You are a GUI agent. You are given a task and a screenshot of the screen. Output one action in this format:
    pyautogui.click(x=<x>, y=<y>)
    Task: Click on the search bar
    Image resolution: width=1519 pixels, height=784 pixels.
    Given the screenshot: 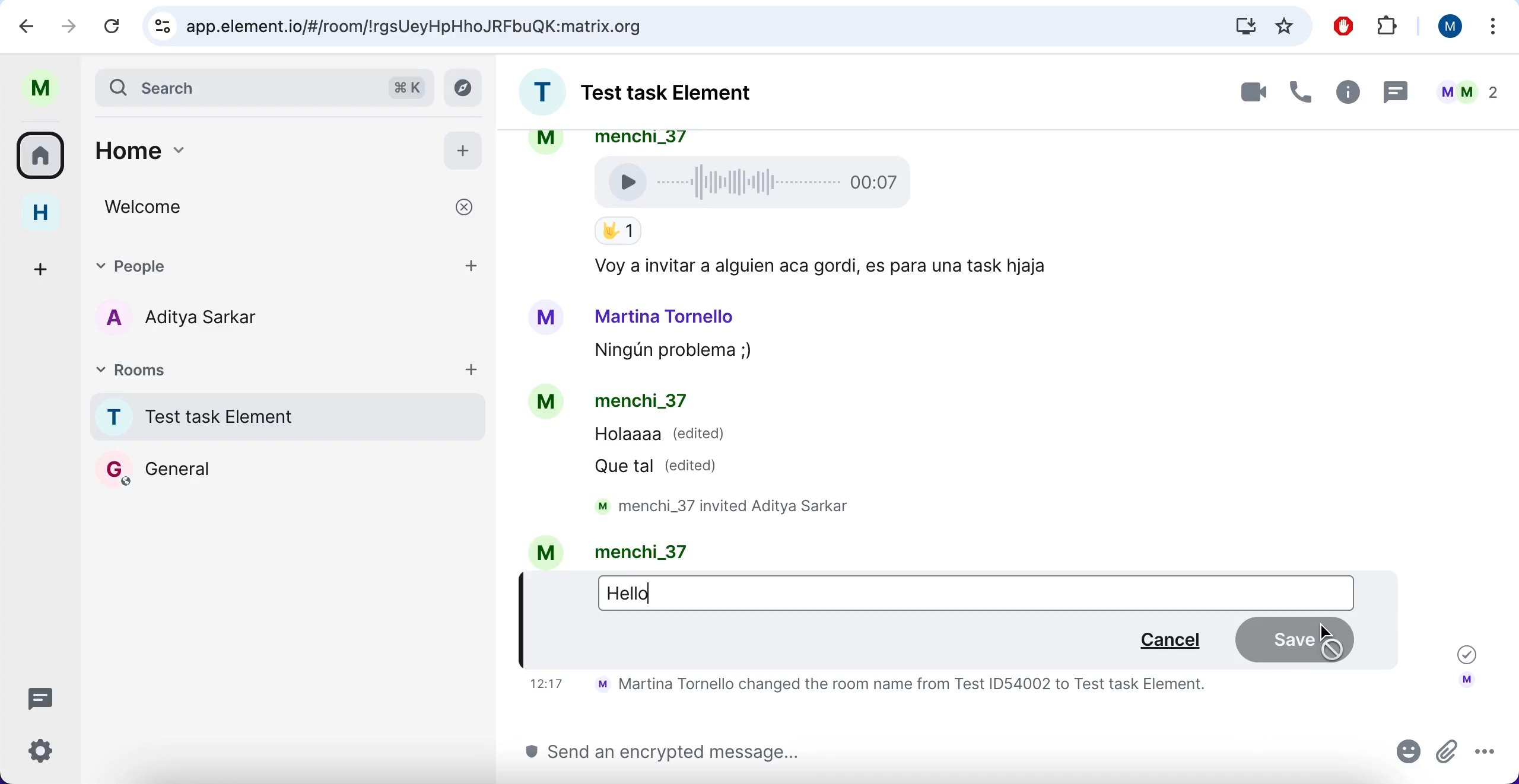 What is the action you would take?
    pyautogui.click(x=673, y=27)
    